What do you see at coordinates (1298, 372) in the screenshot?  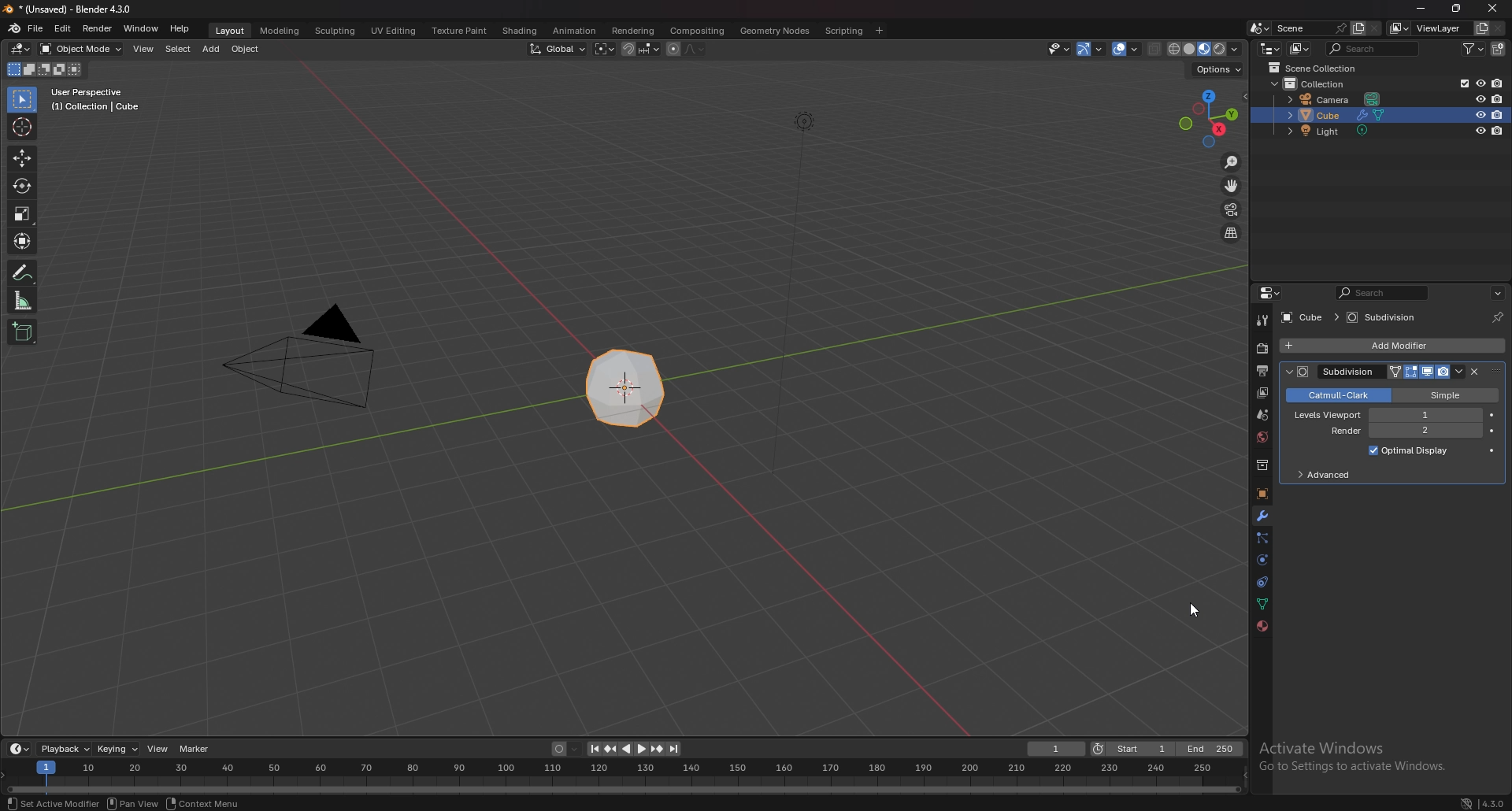 I see `set active modifier` at bounding box center [1298, 372].